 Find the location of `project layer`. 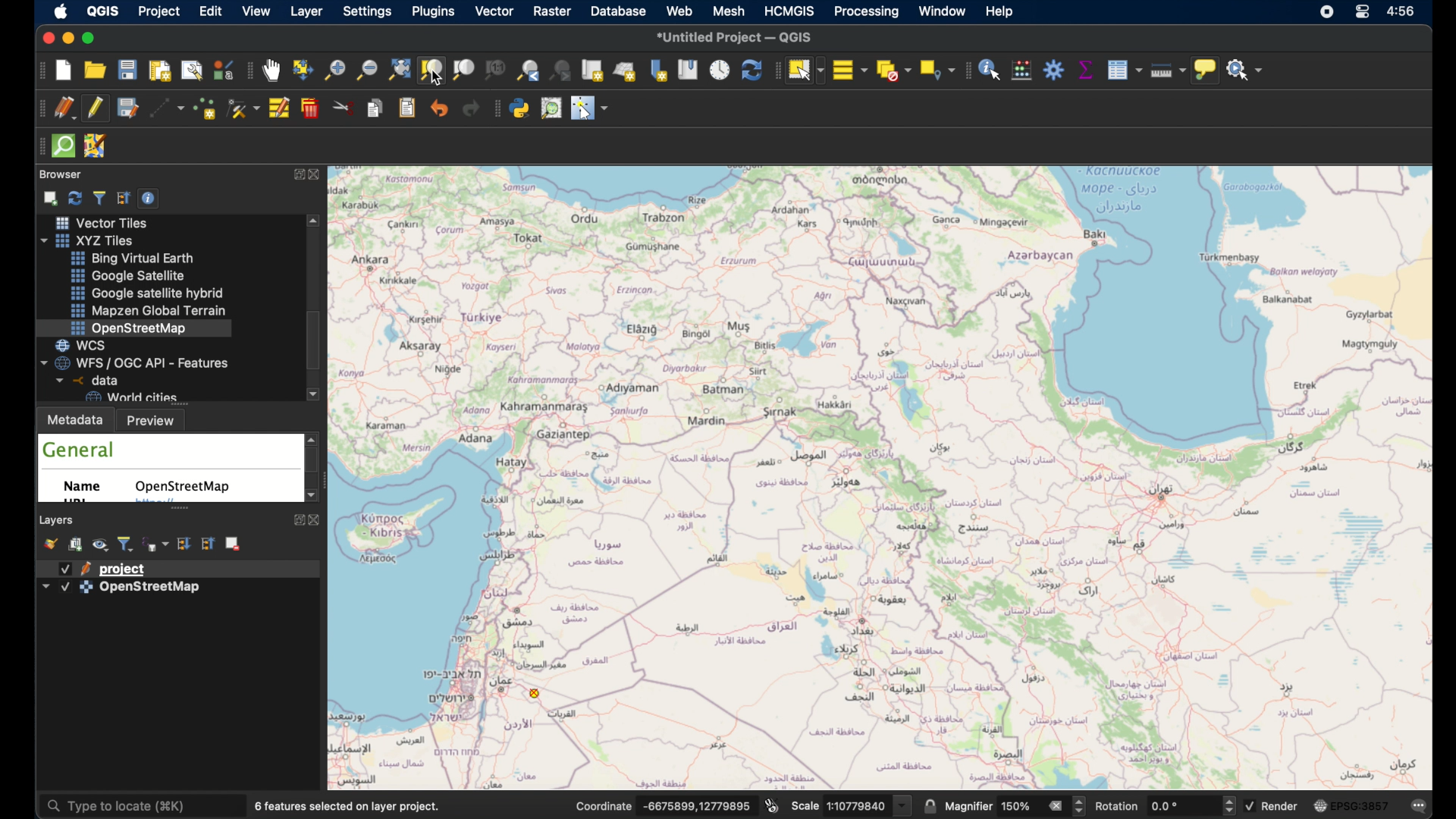

project layer is located at coordinates (125, 568).